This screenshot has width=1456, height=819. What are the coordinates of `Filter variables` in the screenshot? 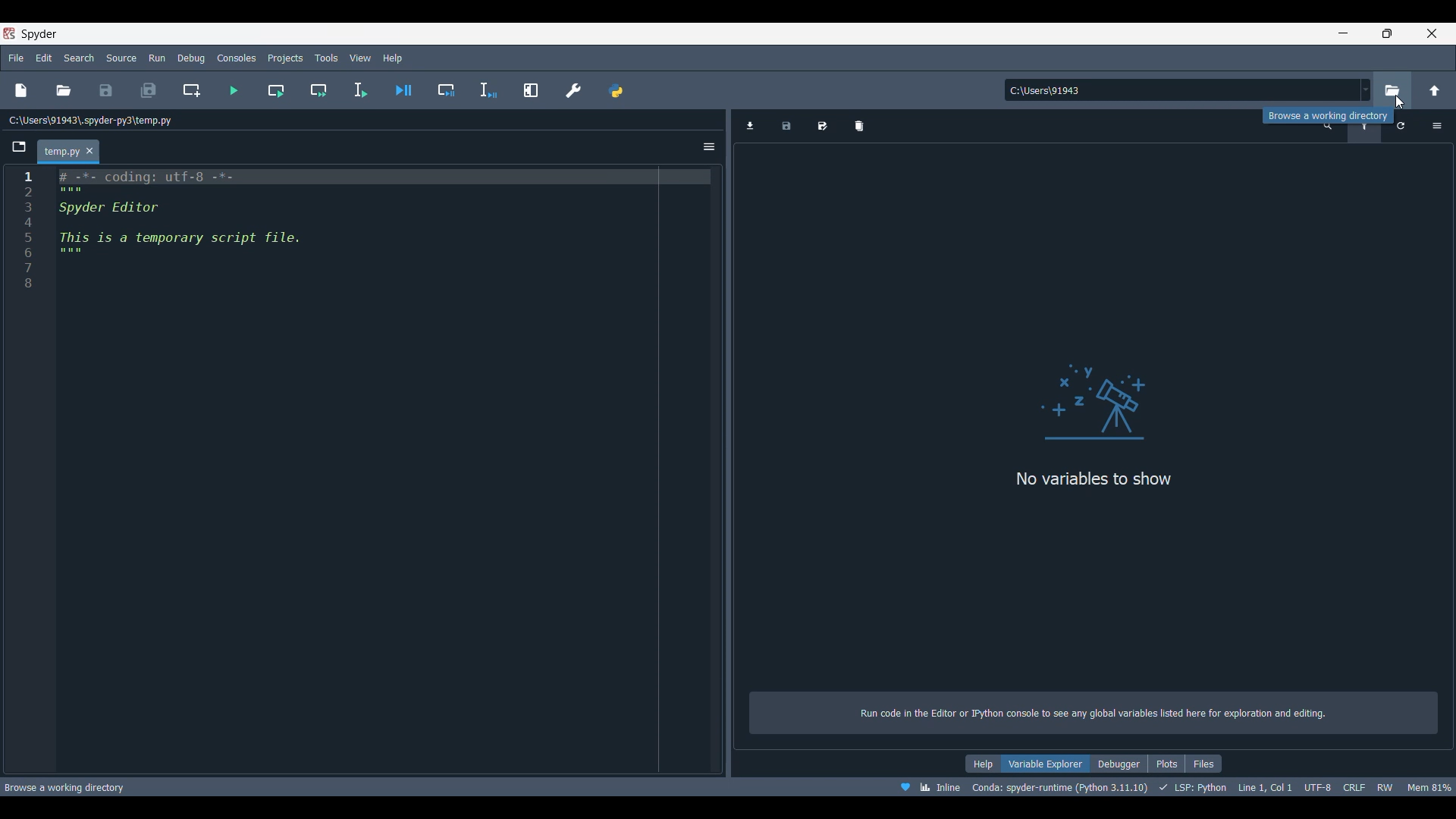 It's located at (1364, 133).